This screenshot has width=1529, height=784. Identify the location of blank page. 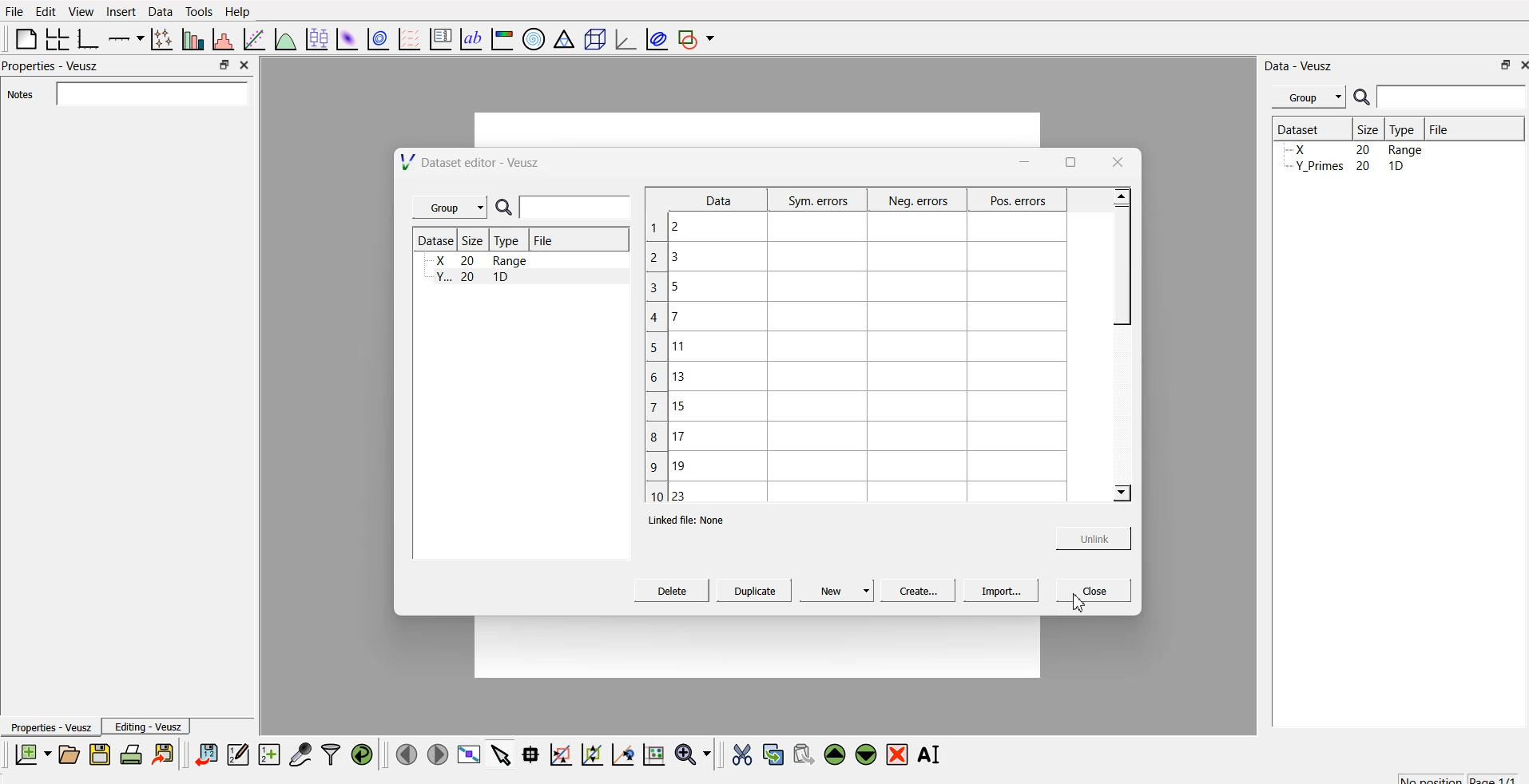
(22, 38).